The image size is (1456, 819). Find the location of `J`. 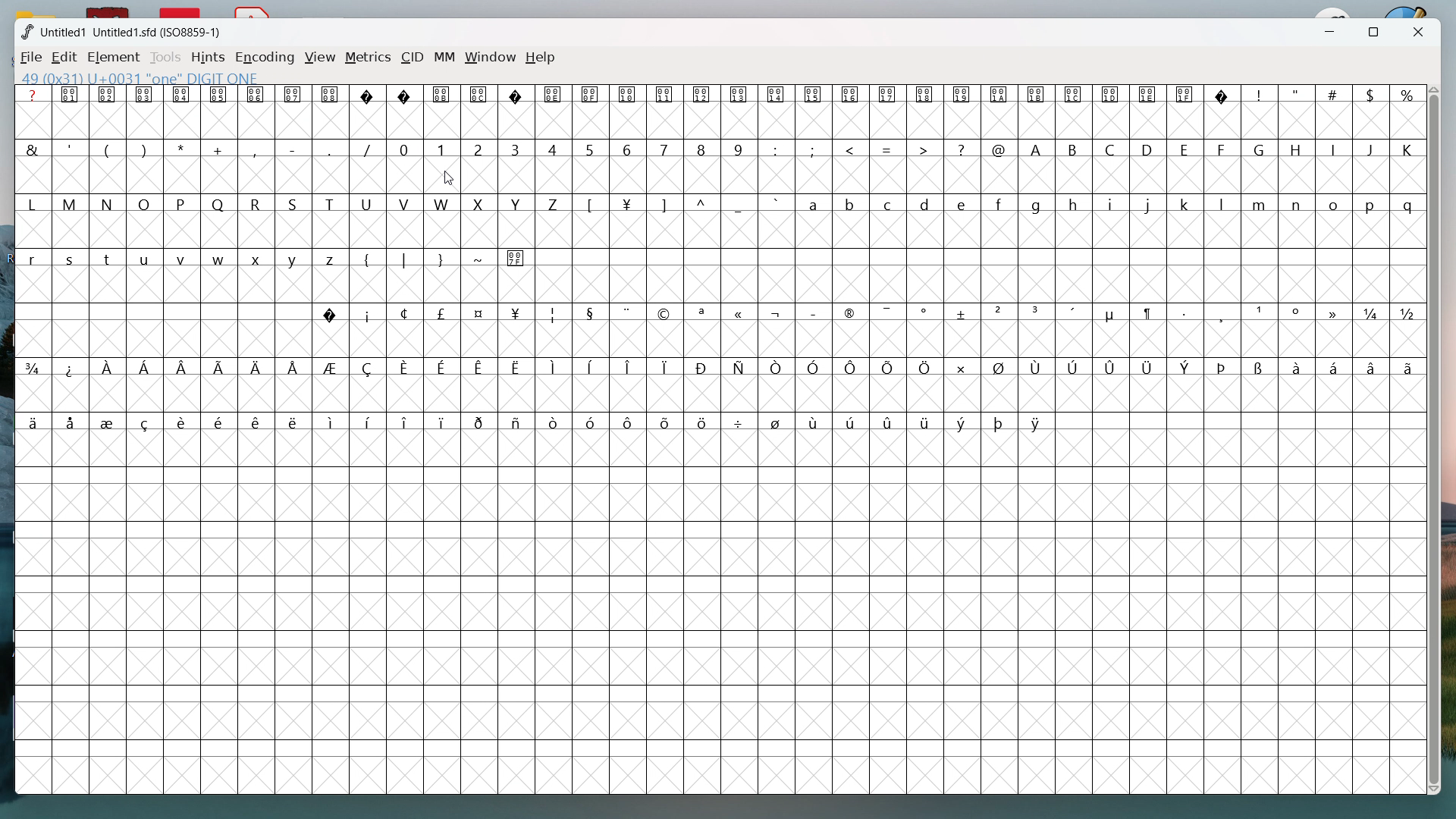

J is located at coordinates (1372, 148).